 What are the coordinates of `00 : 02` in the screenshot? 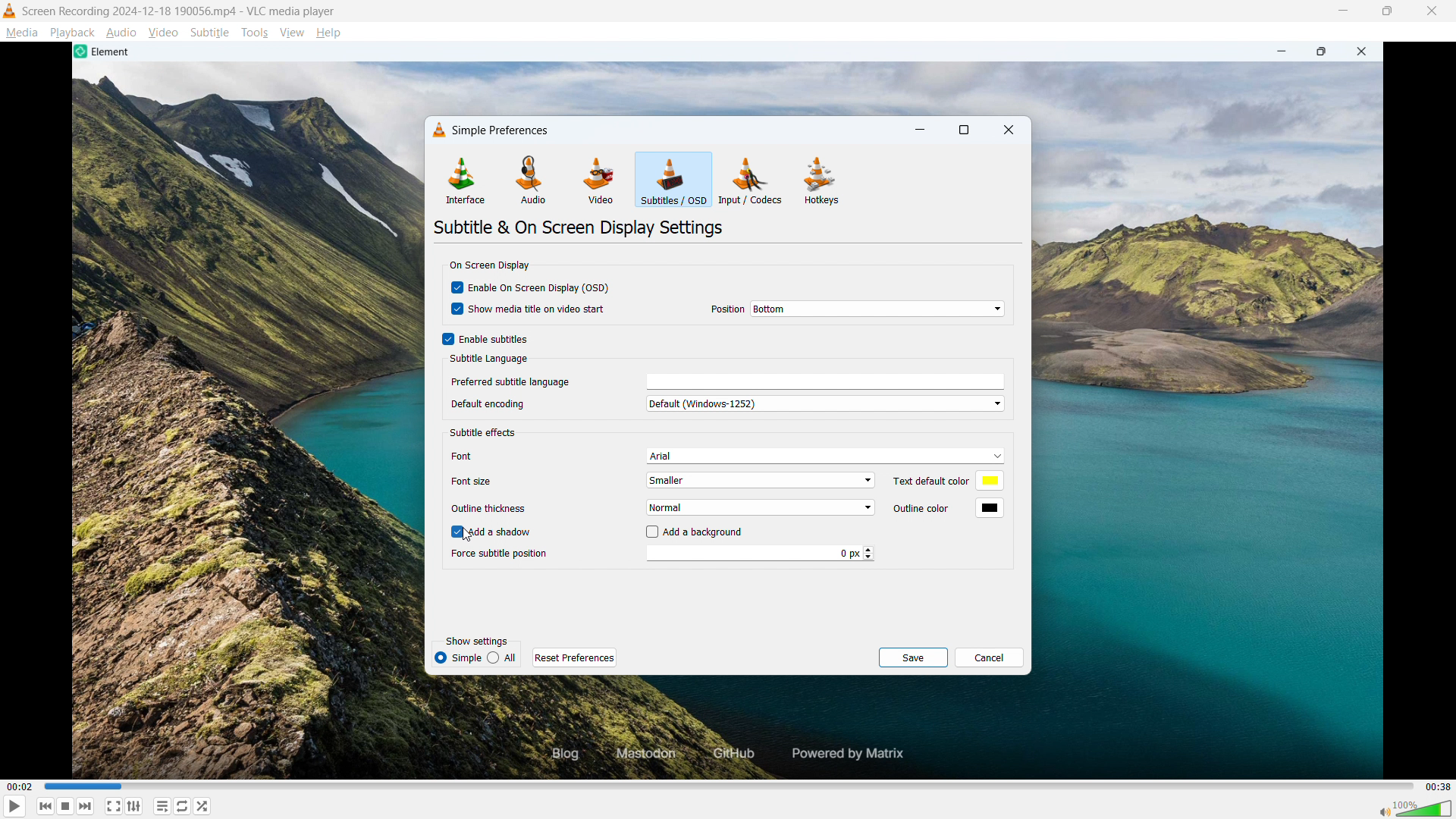 It's located at (21, 786).